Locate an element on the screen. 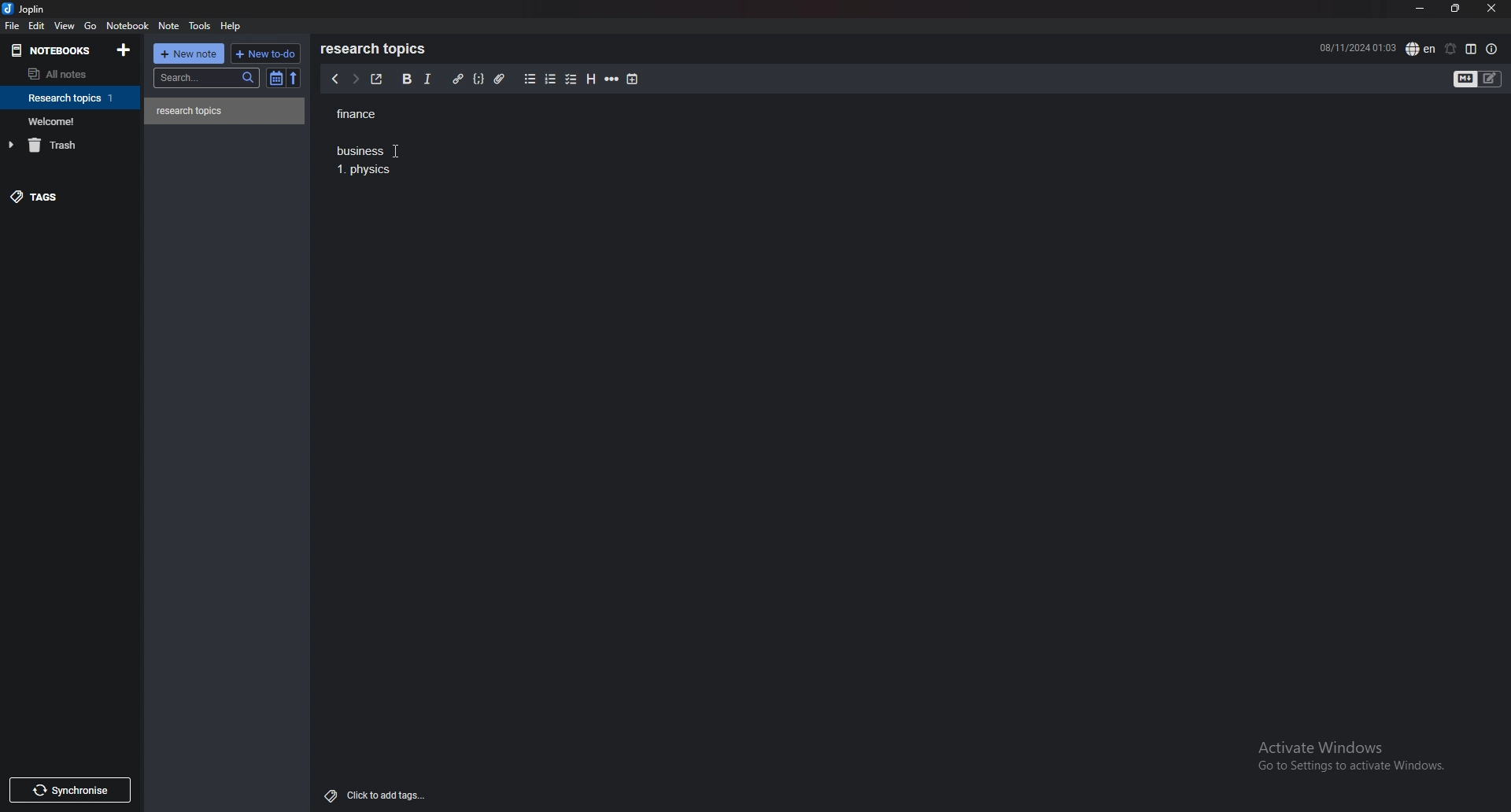 This screenshot has height=812, width=1511. resize is located at coordinates (1454, 8).